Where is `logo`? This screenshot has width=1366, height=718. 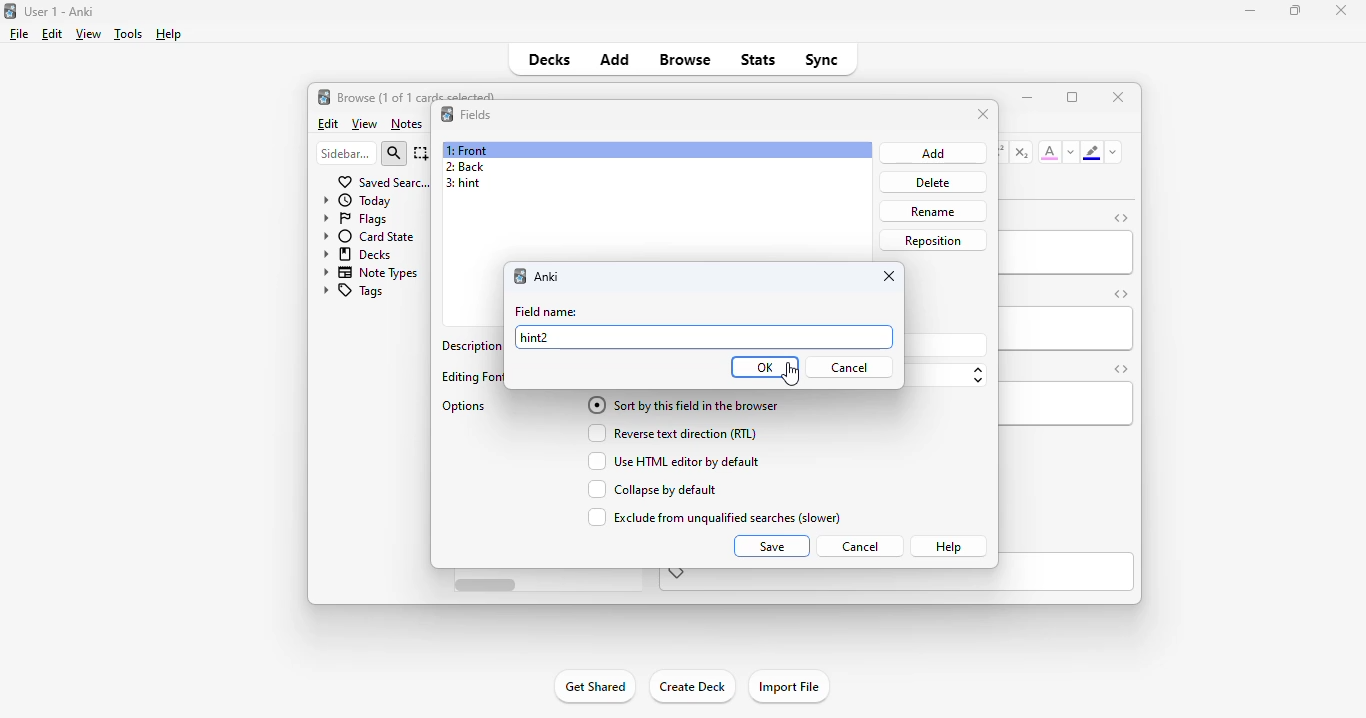 logo is located at coordinates (447, 113).